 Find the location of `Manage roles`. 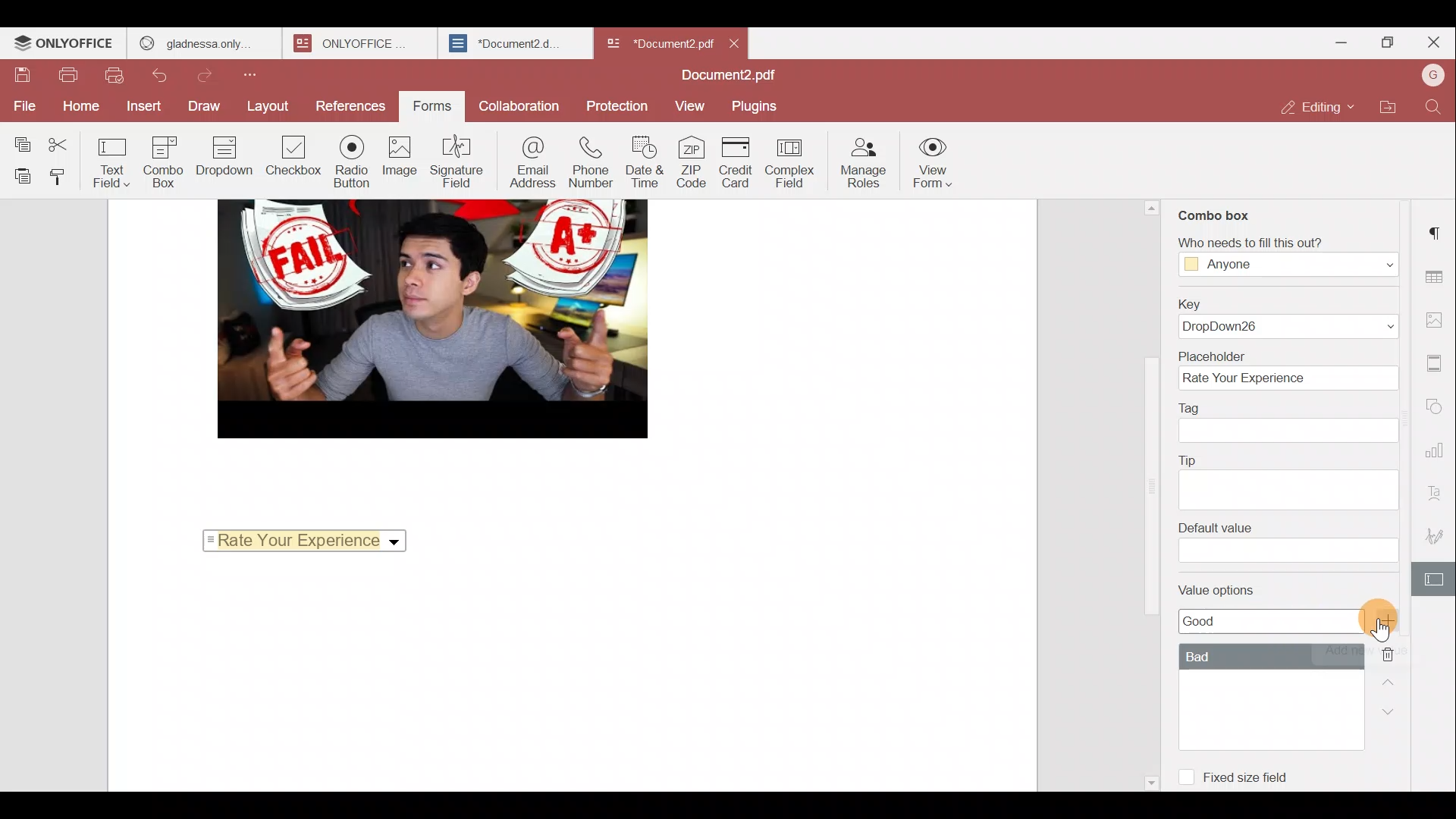

Manage roles is located at coordinates (865, 162).